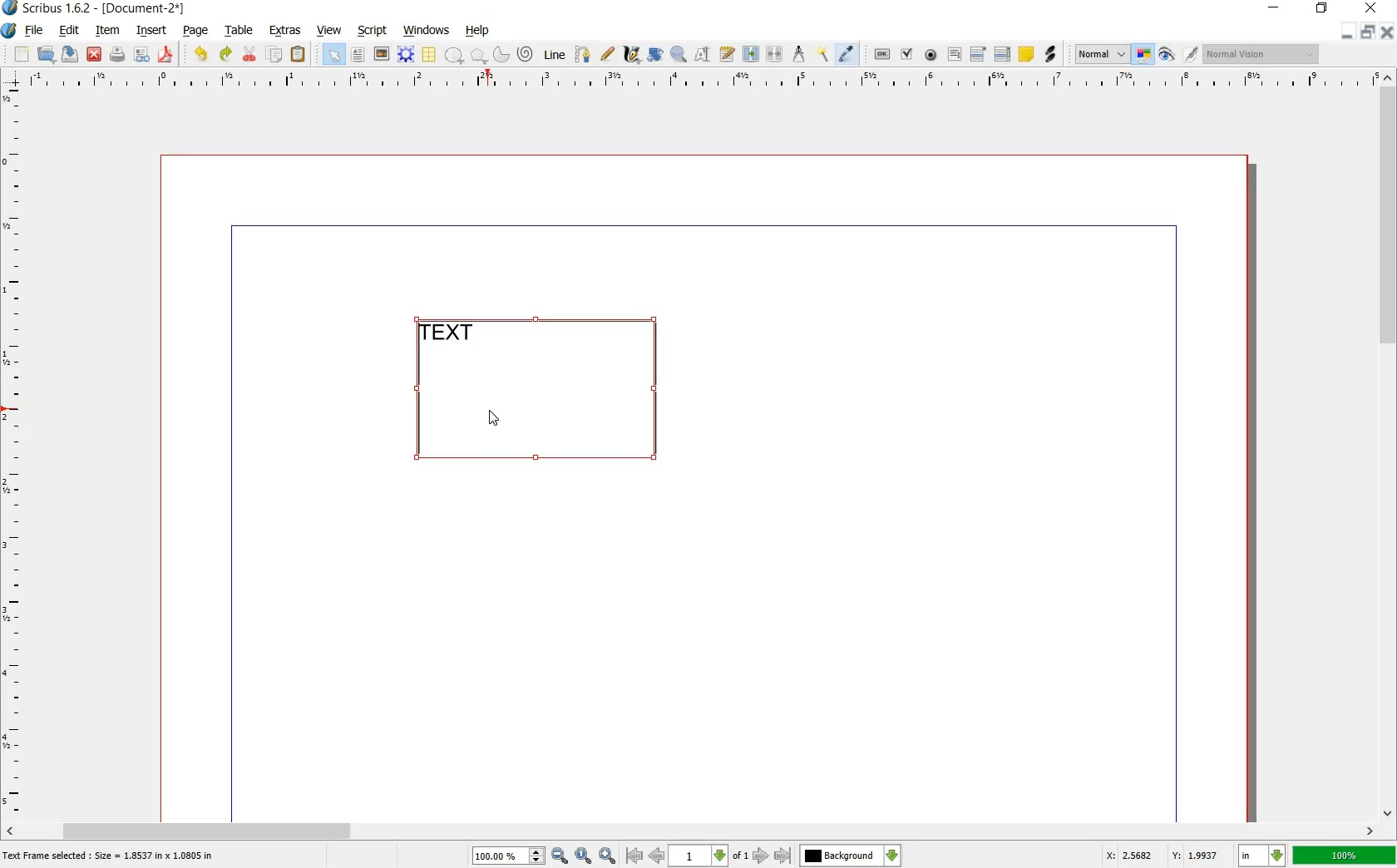  Describe the element at coordinates (152, 32) in the screenshot. I see `insert` at that location.